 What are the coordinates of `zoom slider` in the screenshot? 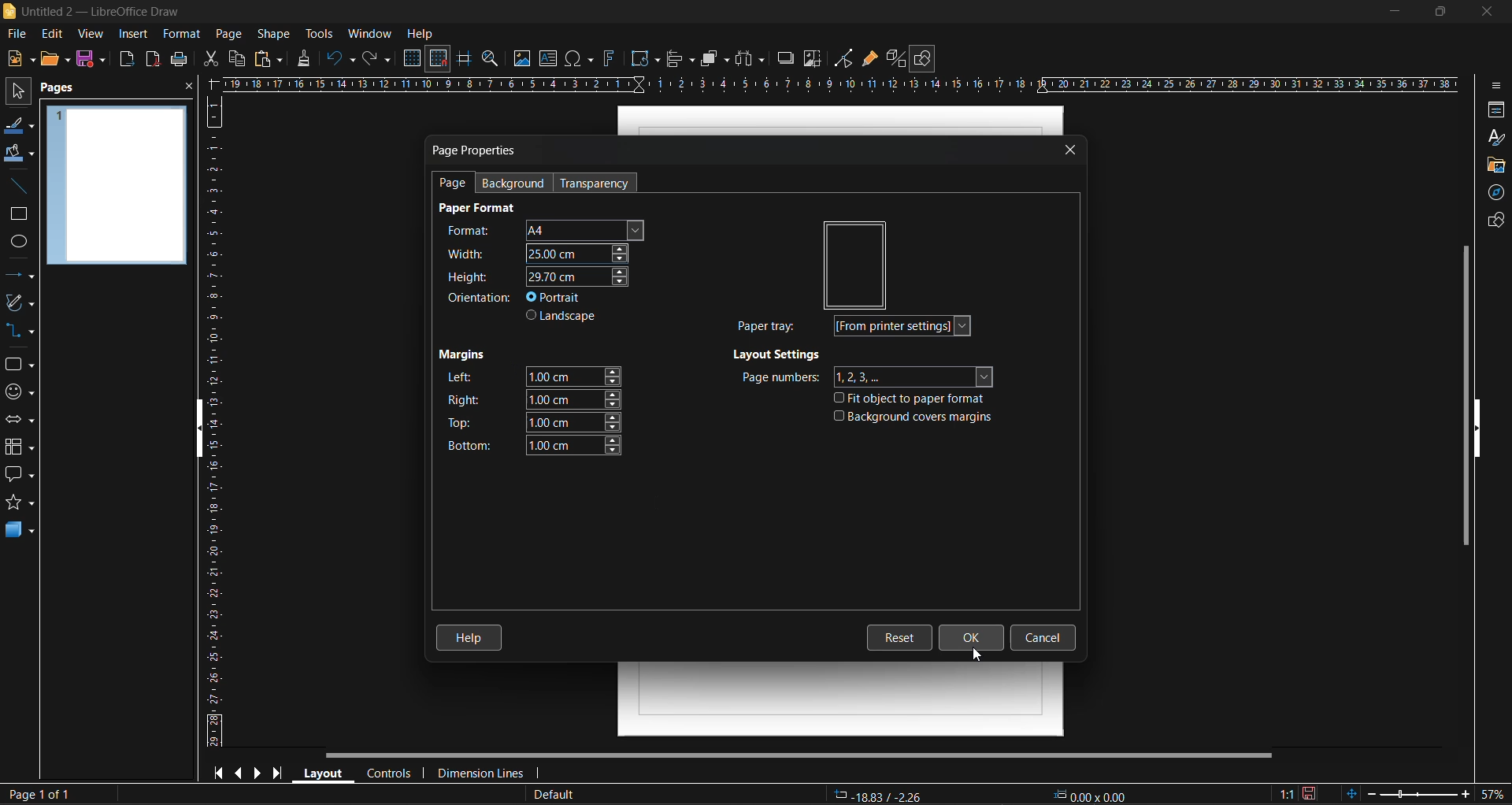 It's located at (1411, 796).